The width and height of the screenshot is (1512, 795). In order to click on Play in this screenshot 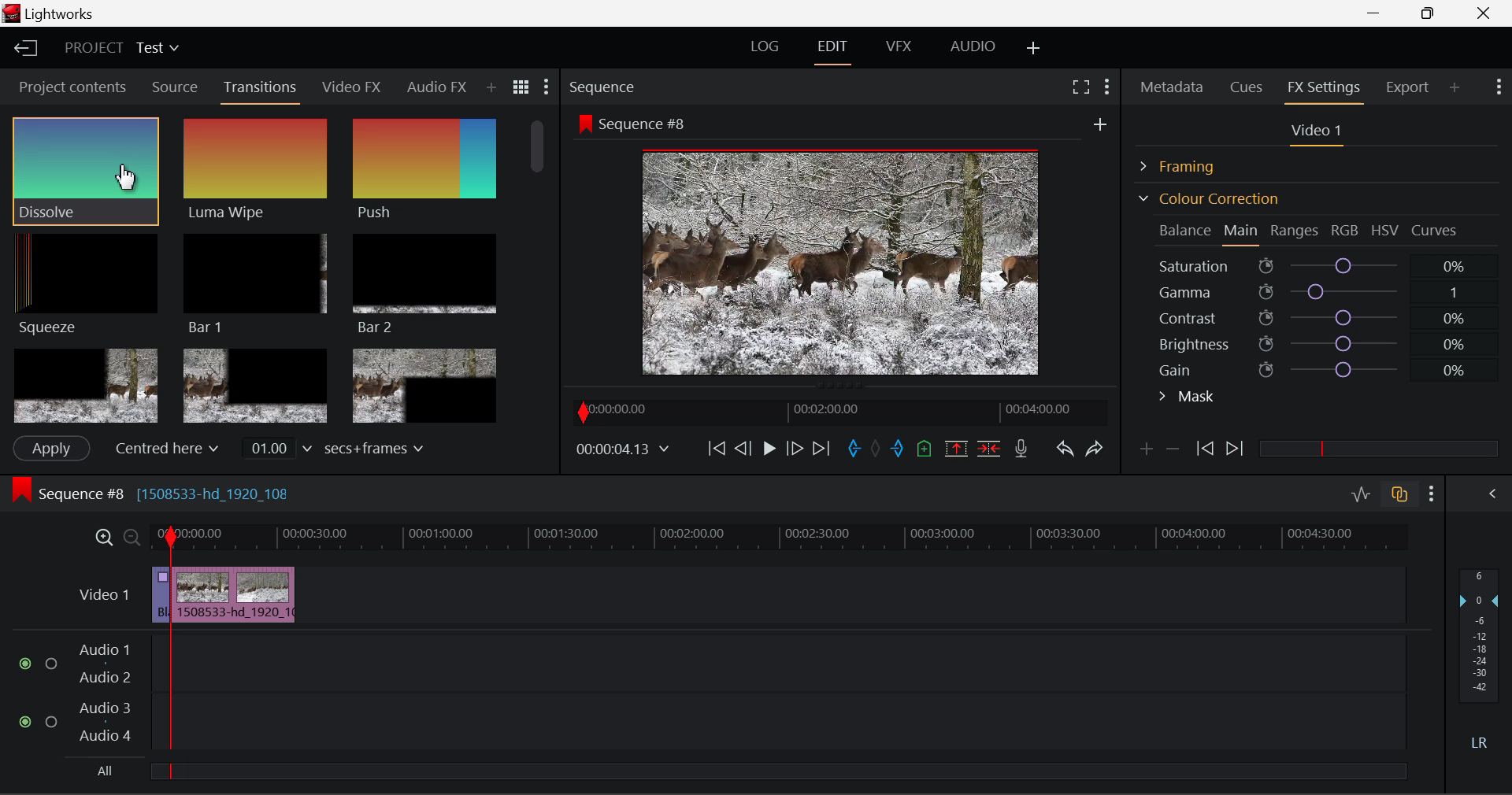, I will do `click(767, 449)`.